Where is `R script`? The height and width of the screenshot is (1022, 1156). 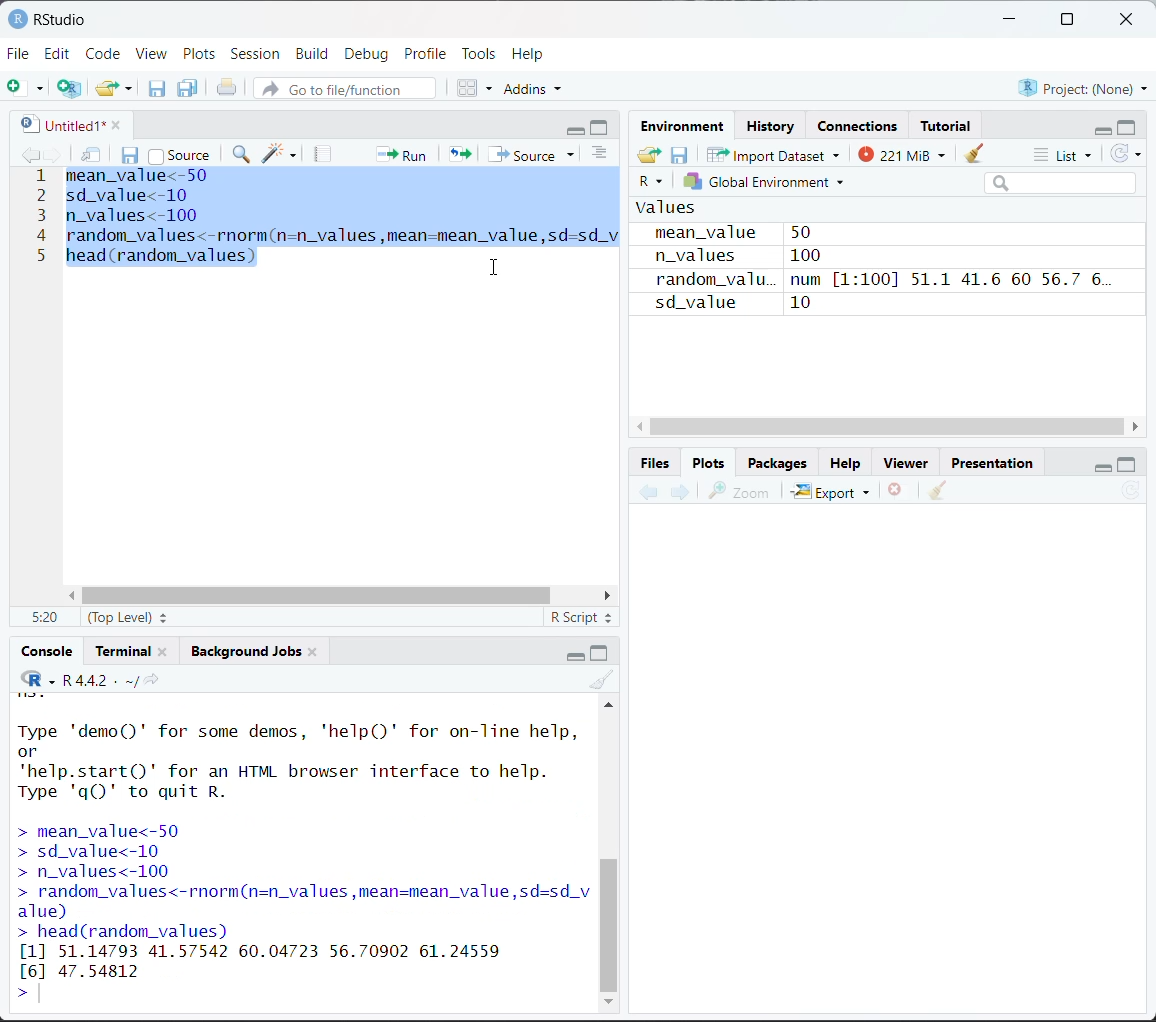 R script is located at coordinates (582, 620).